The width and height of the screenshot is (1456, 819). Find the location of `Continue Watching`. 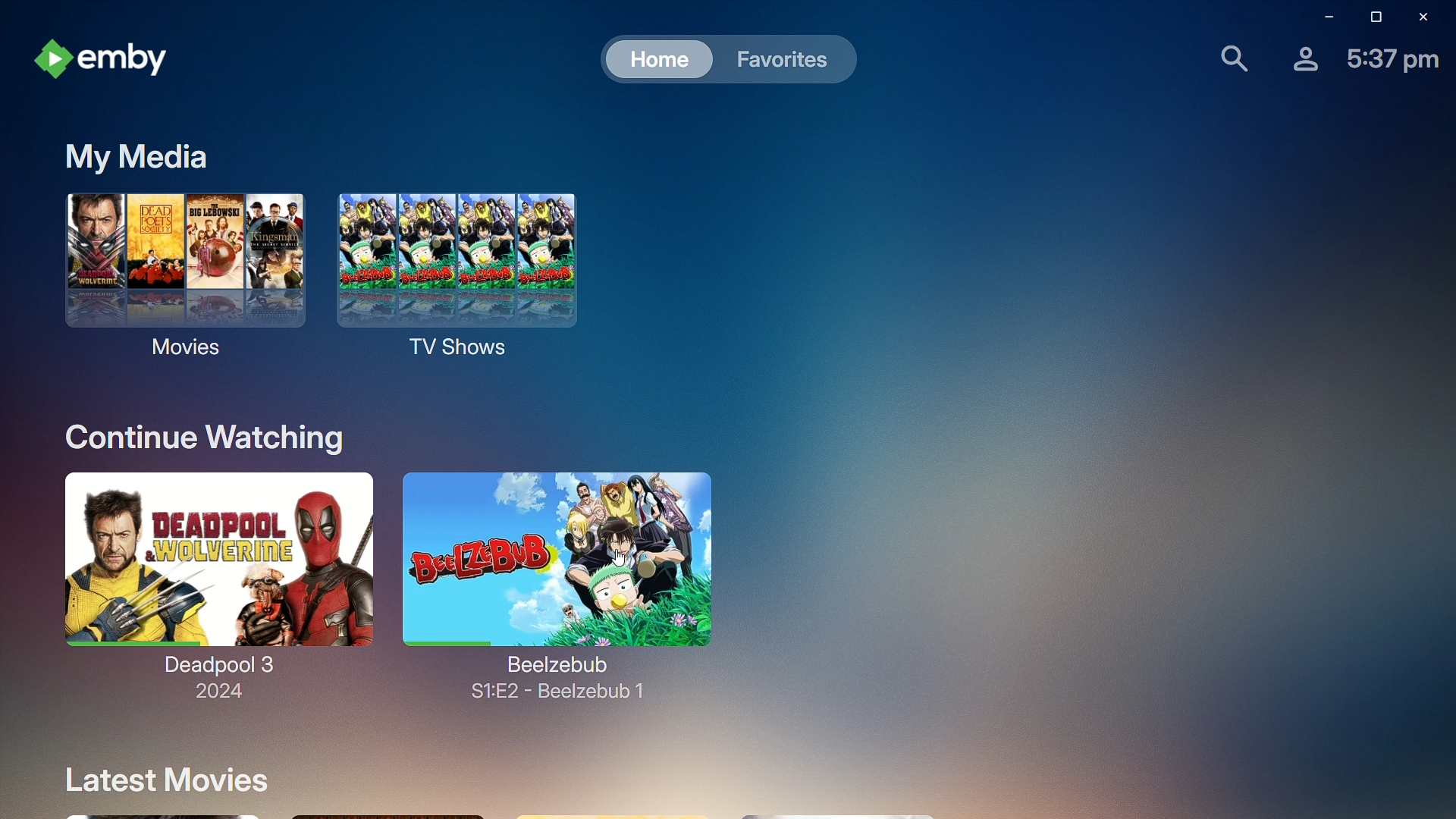

Continue Watching is located at coordinates (196, 432).